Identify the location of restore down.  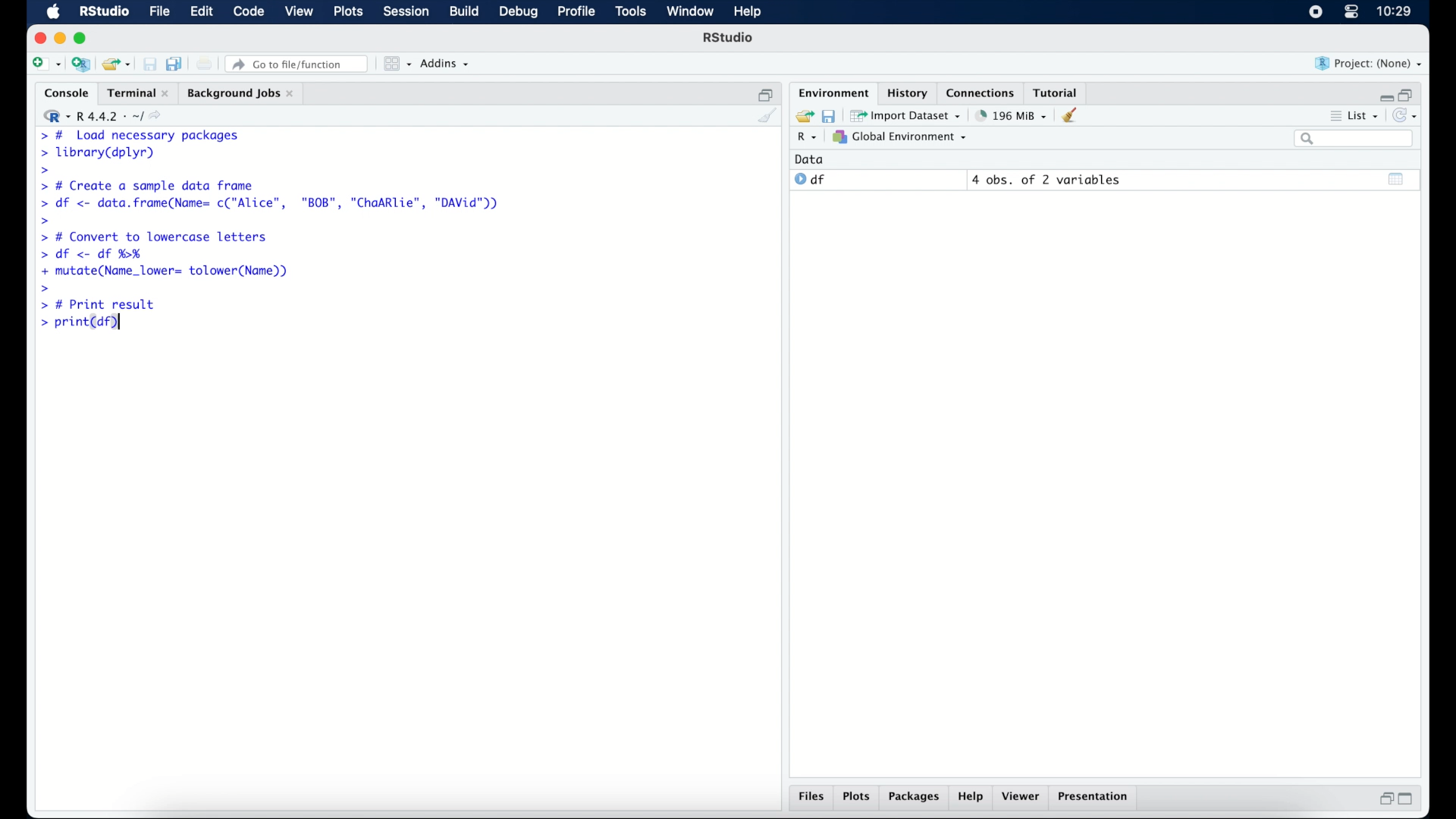
(766, 93).